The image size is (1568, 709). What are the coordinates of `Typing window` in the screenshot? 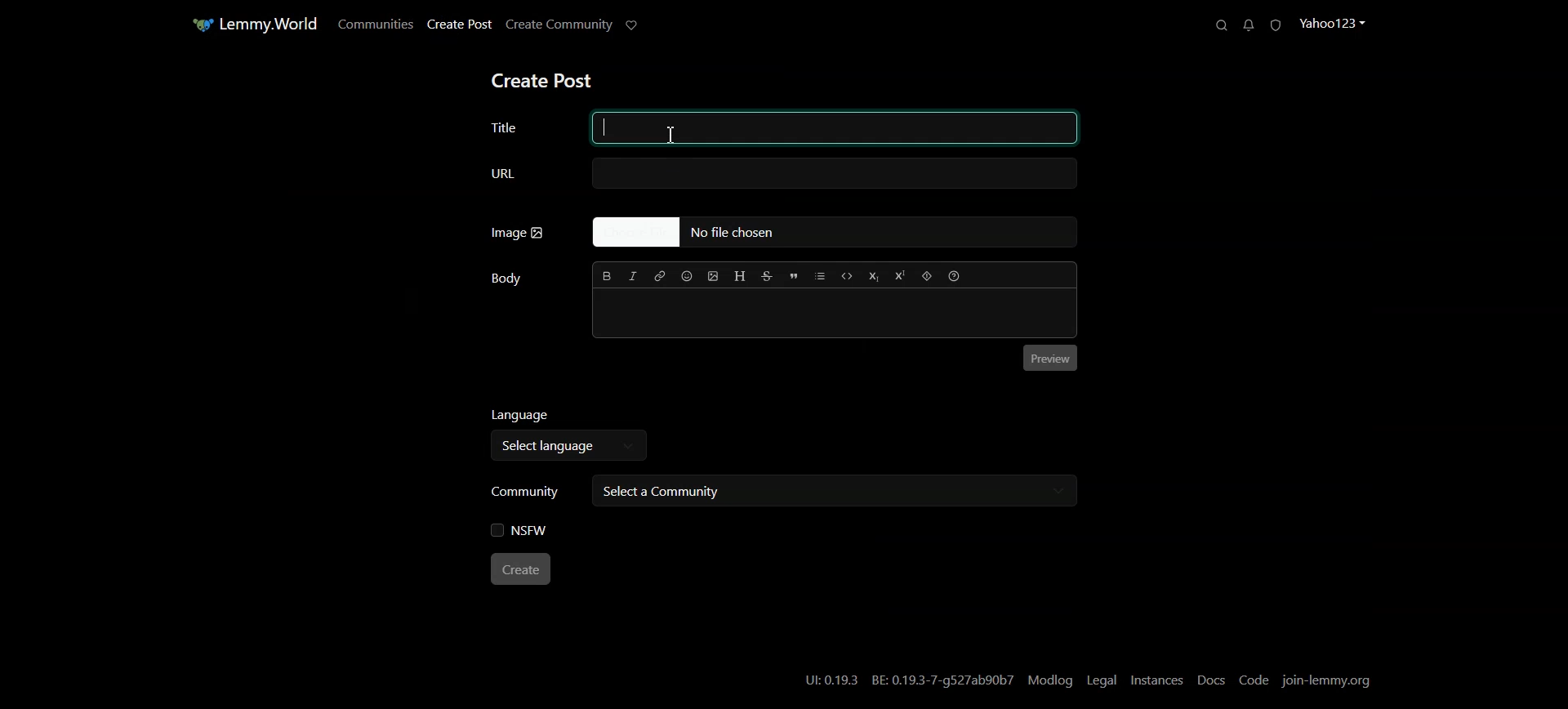 It's located at (835, 315).